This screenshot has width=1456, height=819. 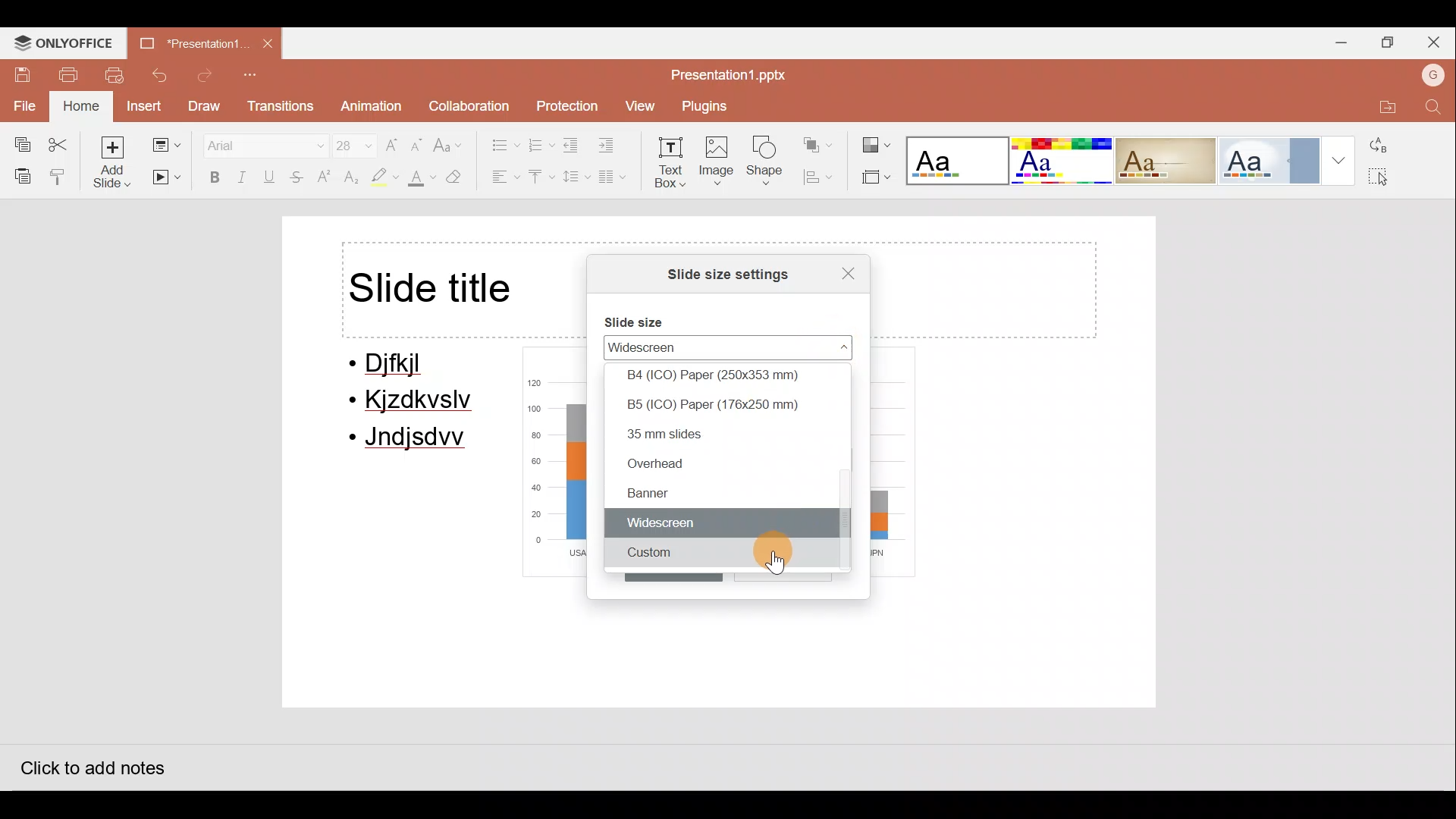 I want to click on Copy, so click(x=17, y=141).